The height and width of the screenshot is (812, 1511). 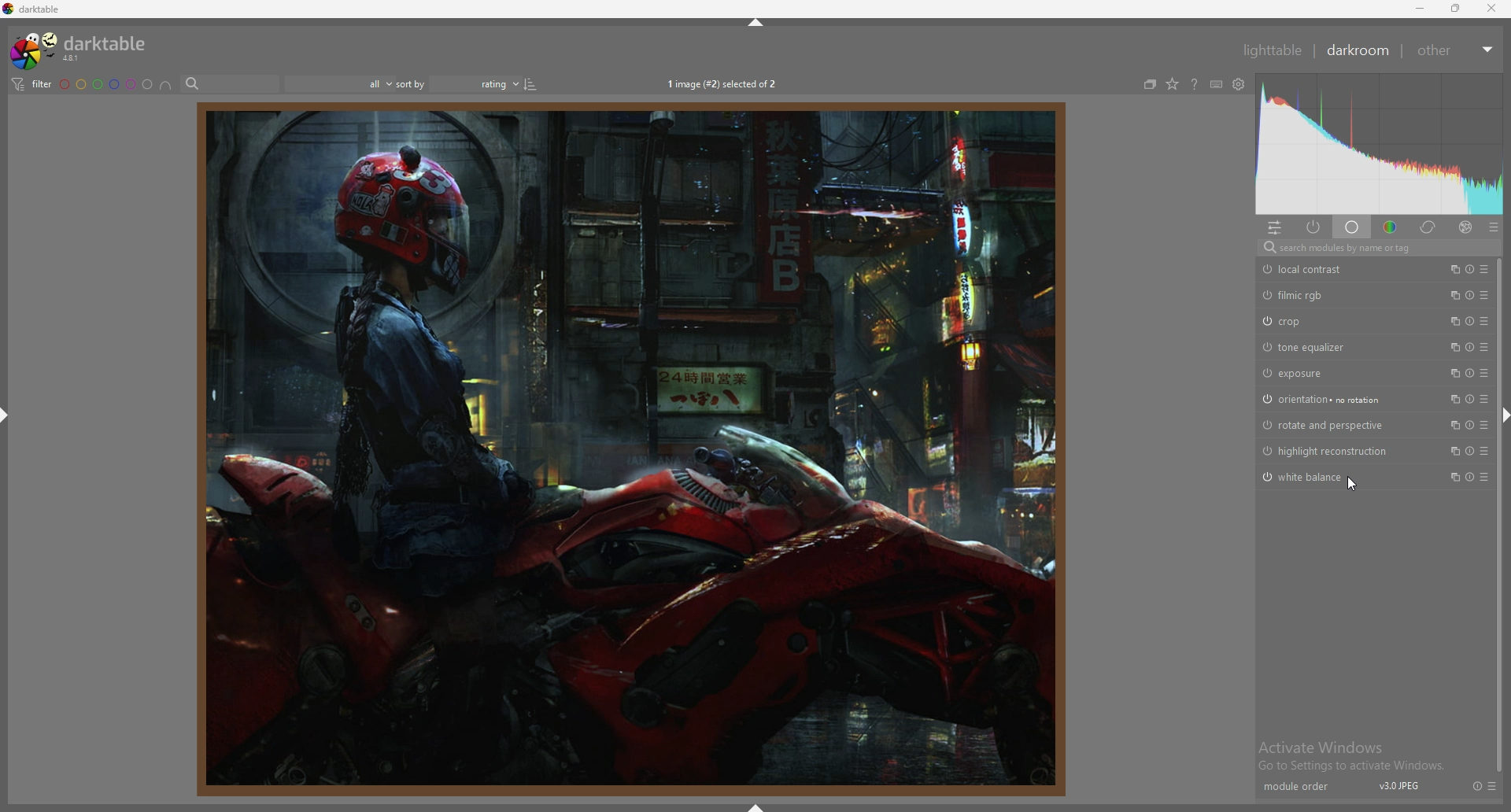 I want to click on presets, so click(x=1484, y=451).